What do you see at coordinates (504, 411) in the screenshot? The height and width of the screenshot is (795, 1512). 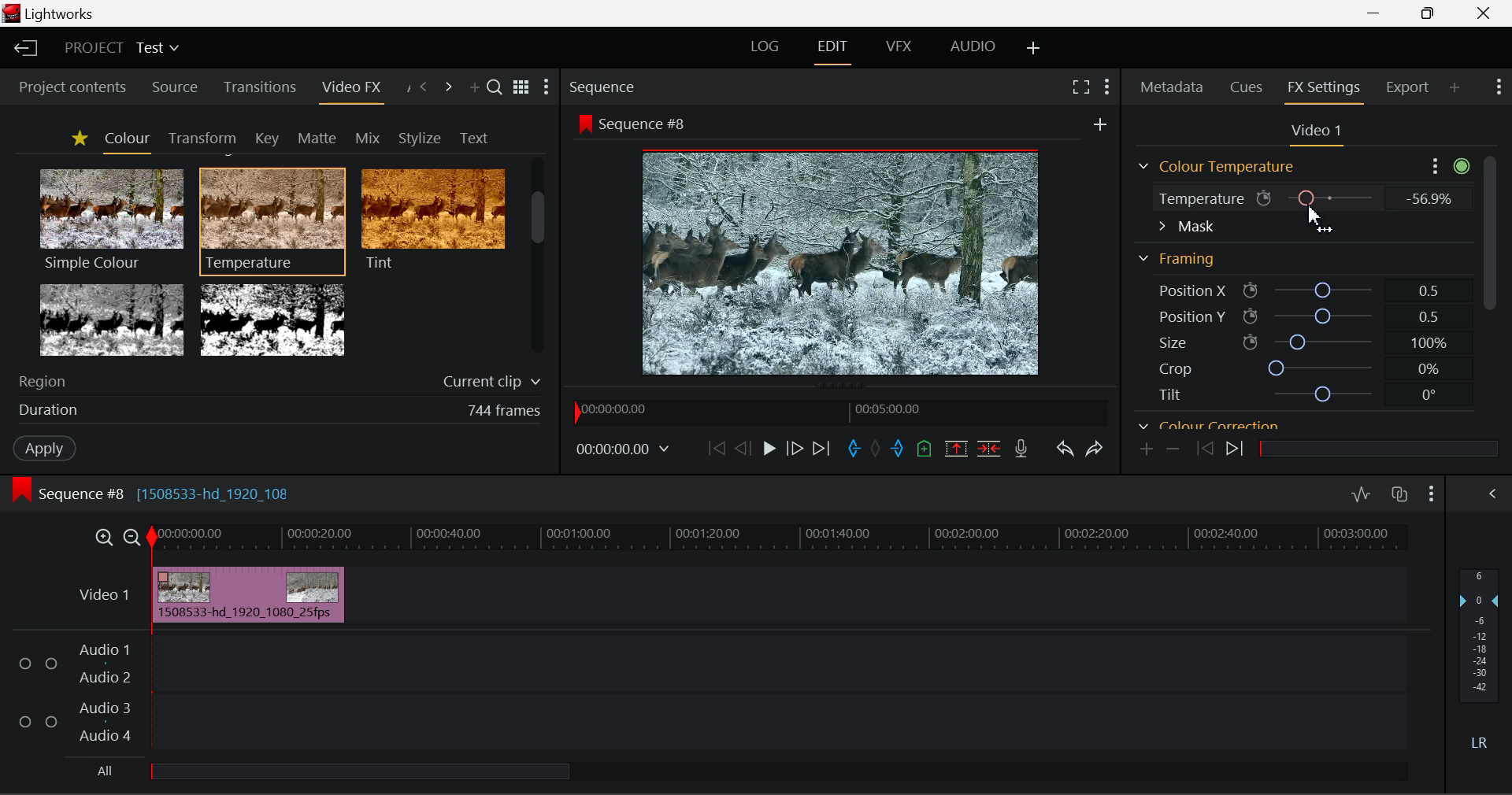 I see `744 frames` at bounding box center [504, 411].